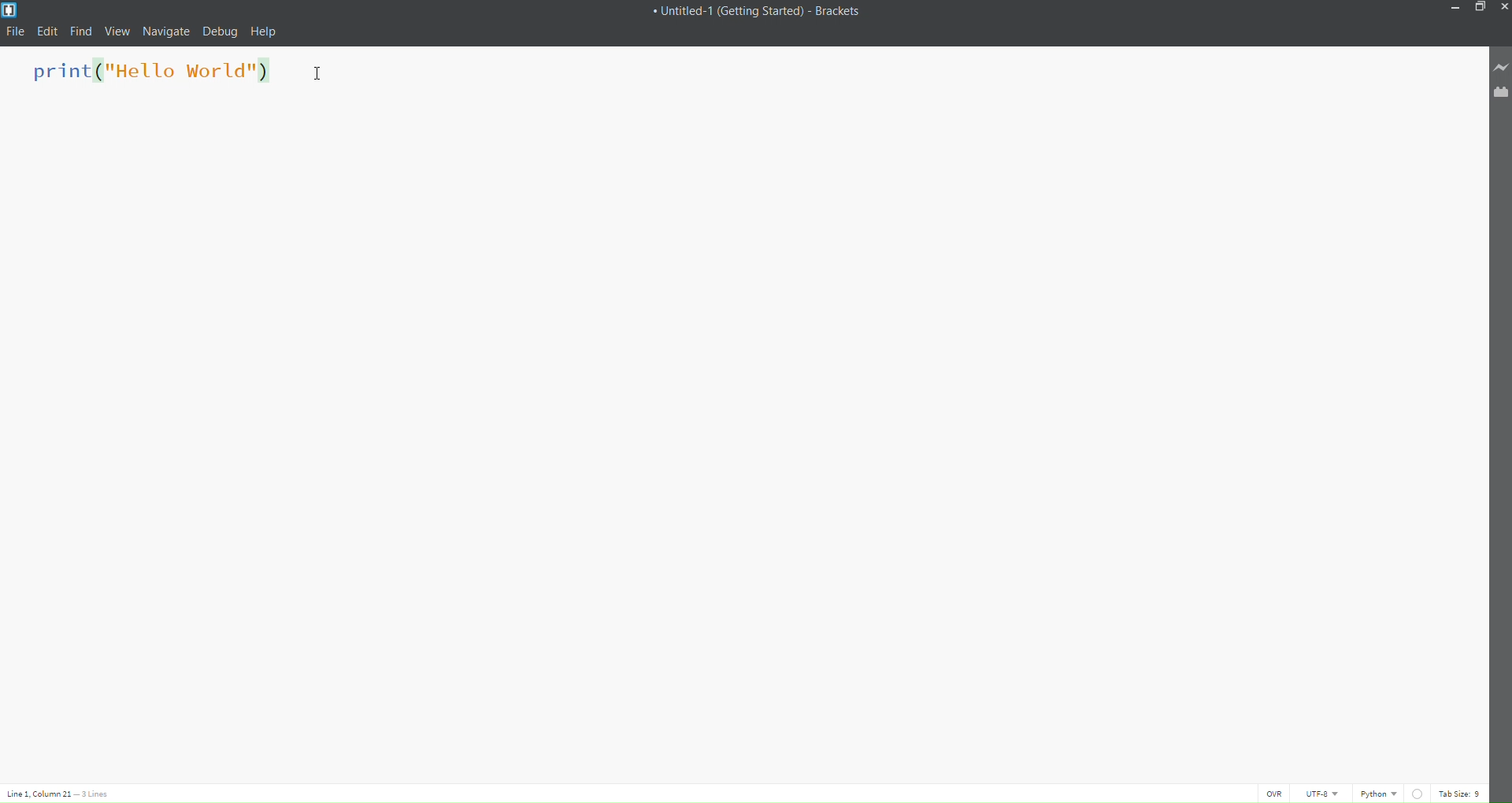  Describe the element at coordinates (80, 30) in the screenshot. I see `find` at that location.